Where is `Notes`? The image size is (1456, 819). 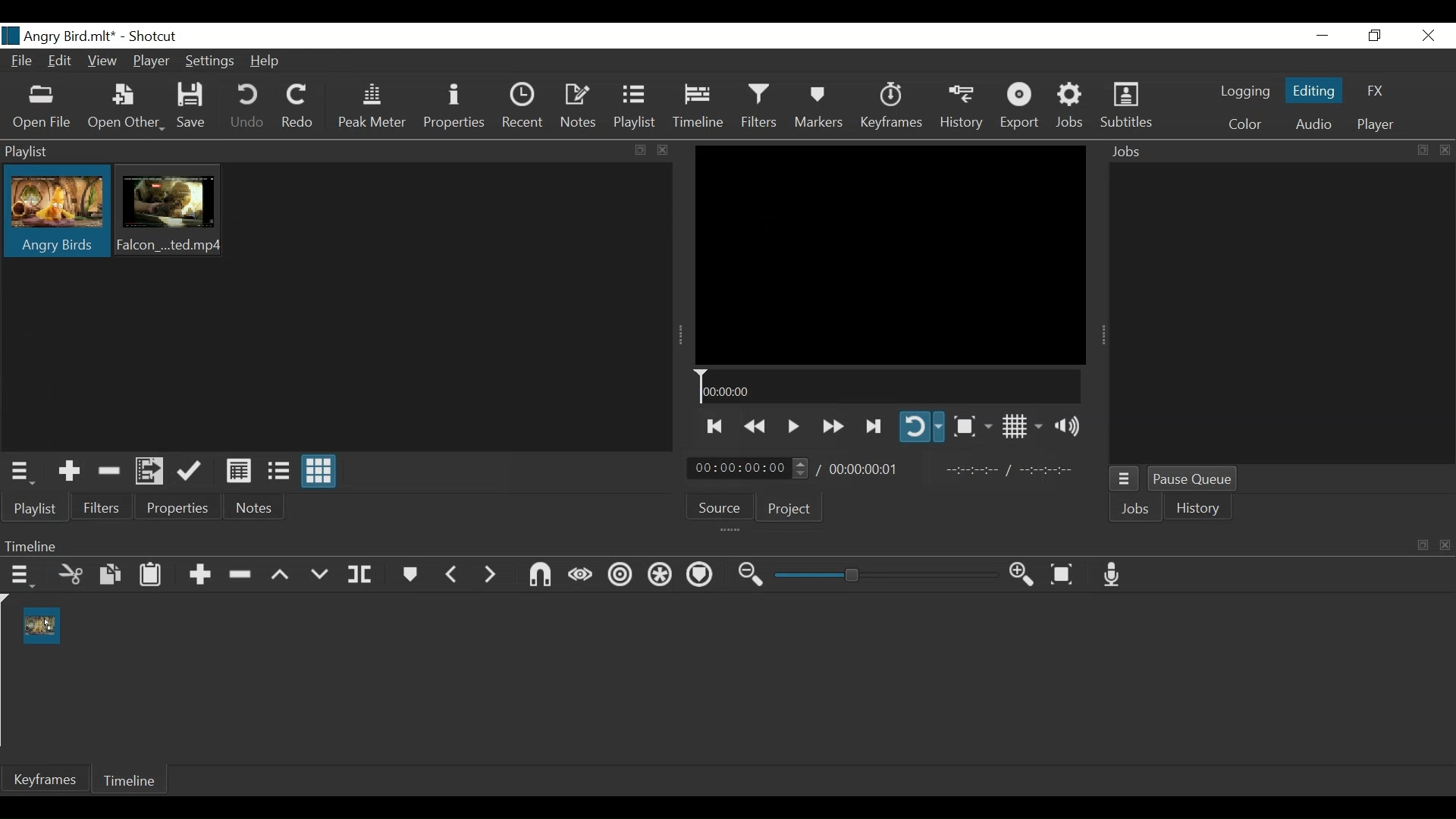 Notes is located at coordinates (256, 510).